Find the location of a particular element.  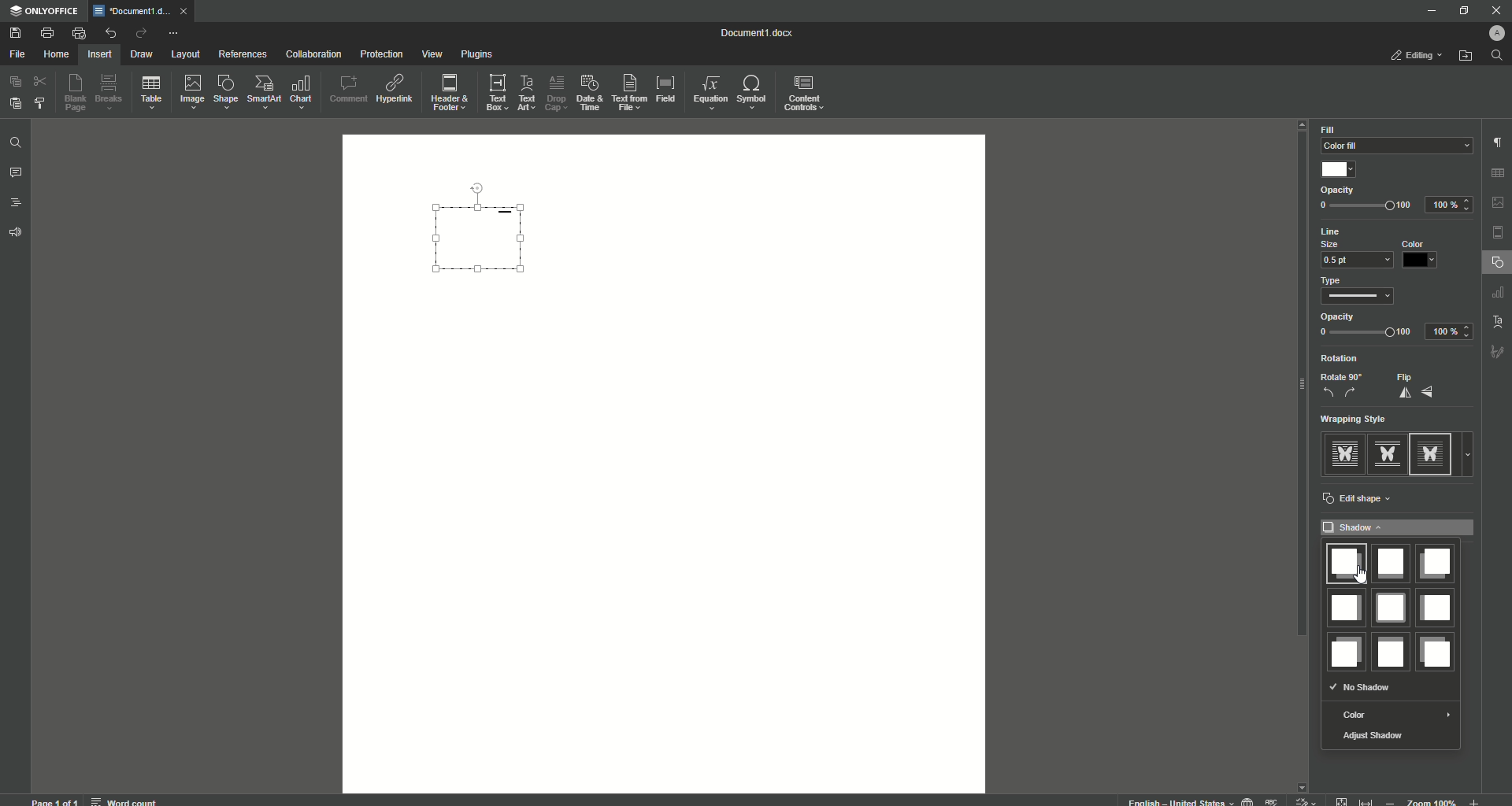

100% is located at coordinates (1449, 332).